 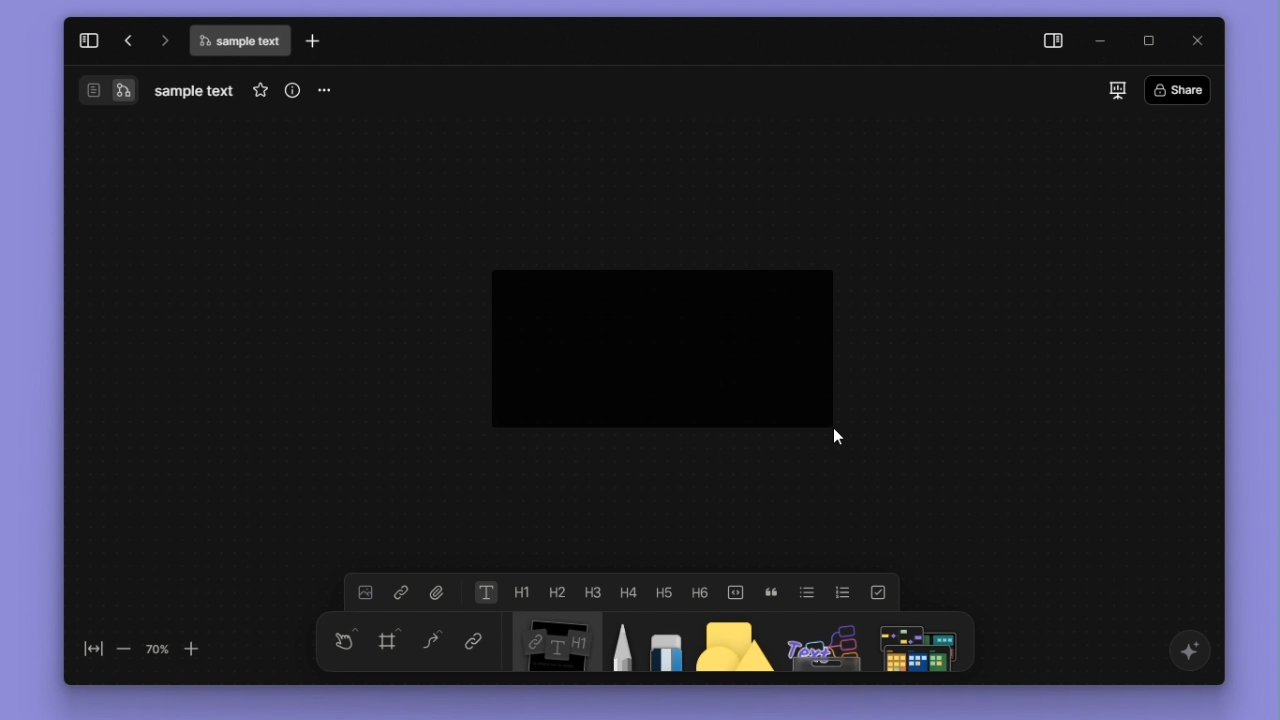 What do you see at coordinates (876, 591) in the screenshot?
I see `to do list` at bounding box center [876, 591].